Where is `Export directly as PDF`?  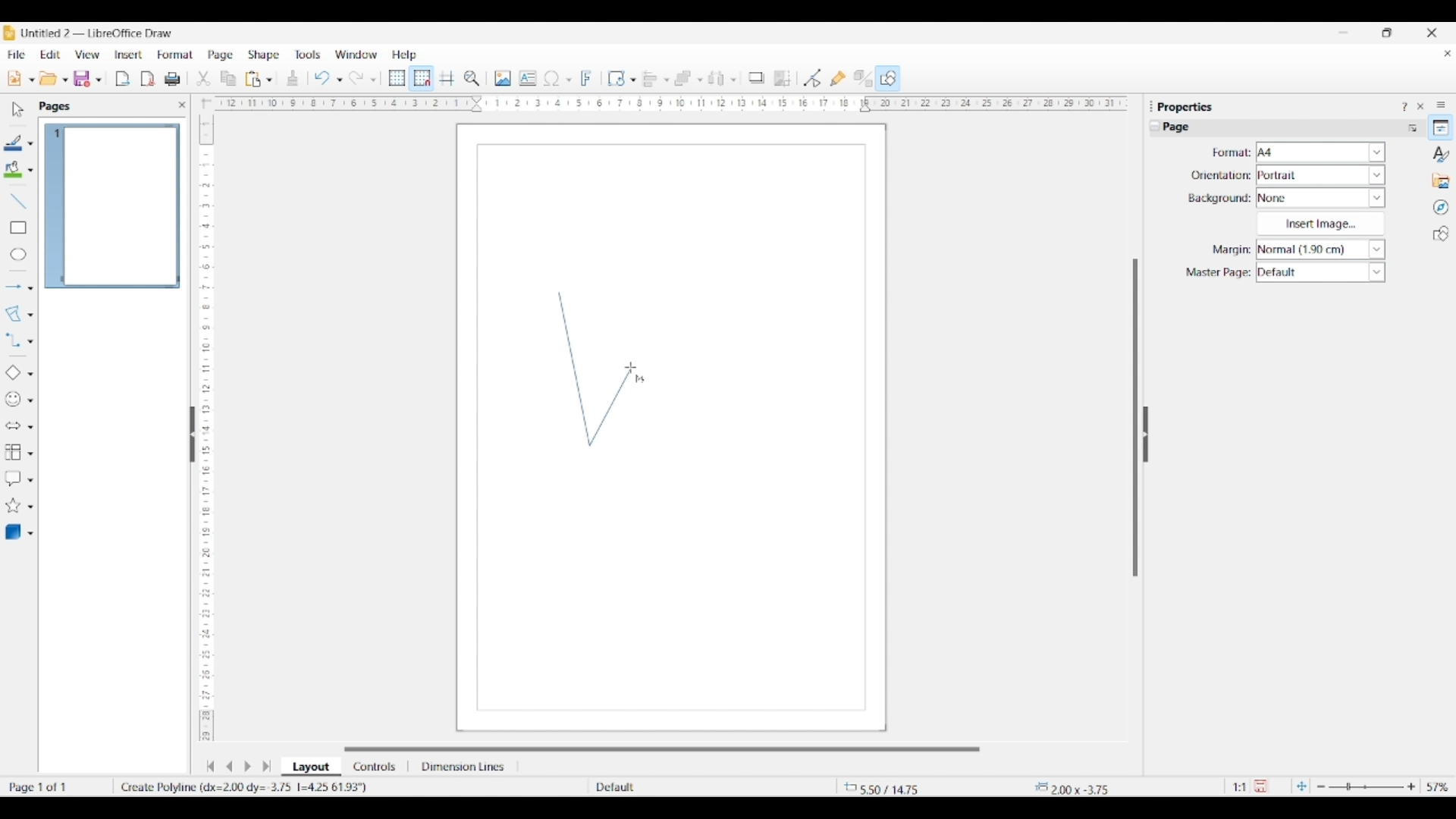 Export directly as PDF is located at coordinates (148, 80).